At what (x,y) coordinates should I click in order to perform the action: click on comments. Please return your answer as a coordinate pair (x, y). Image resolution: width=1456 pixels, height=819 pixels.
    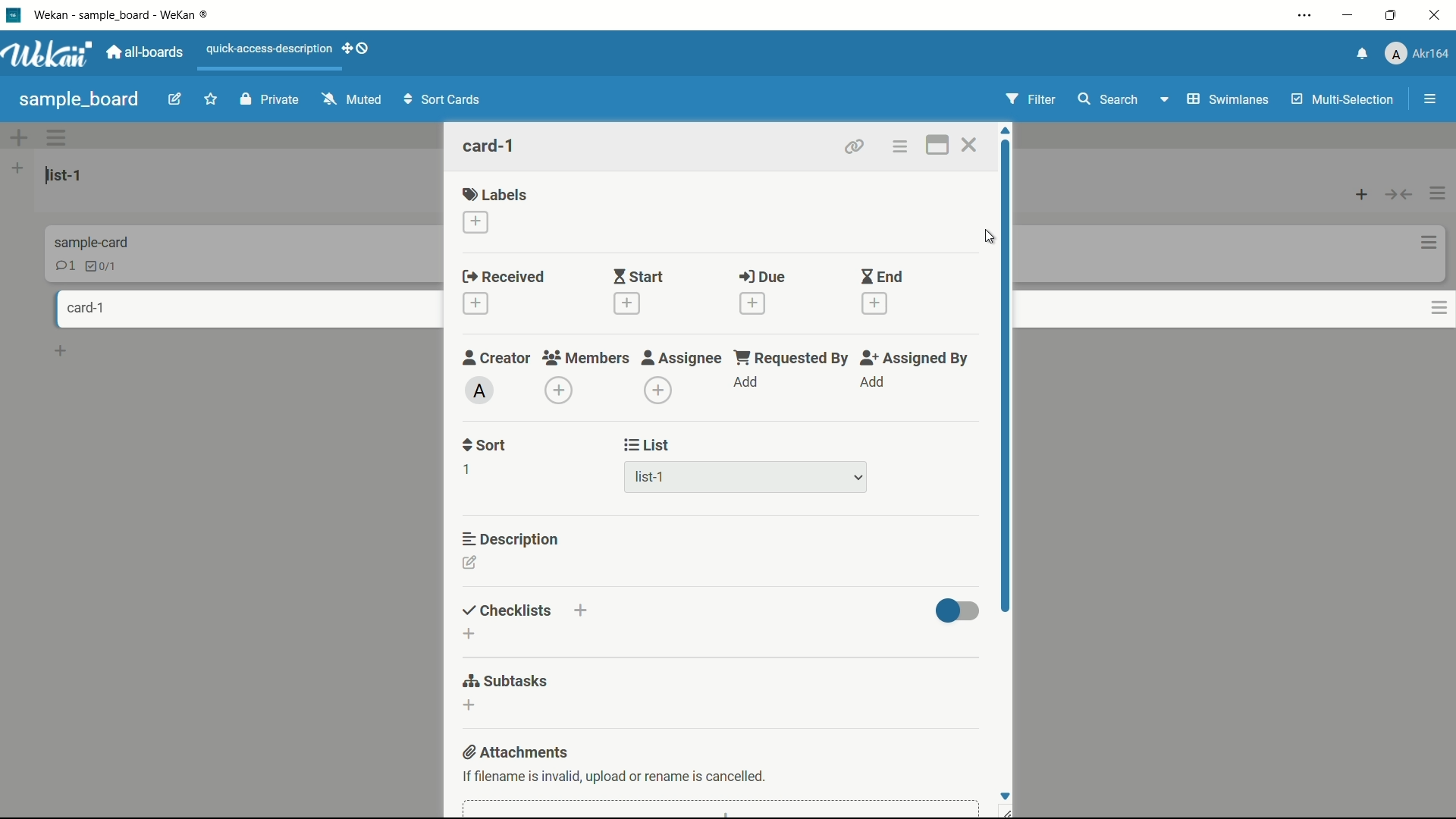
    Looking at the image, I should click on (64, 265).